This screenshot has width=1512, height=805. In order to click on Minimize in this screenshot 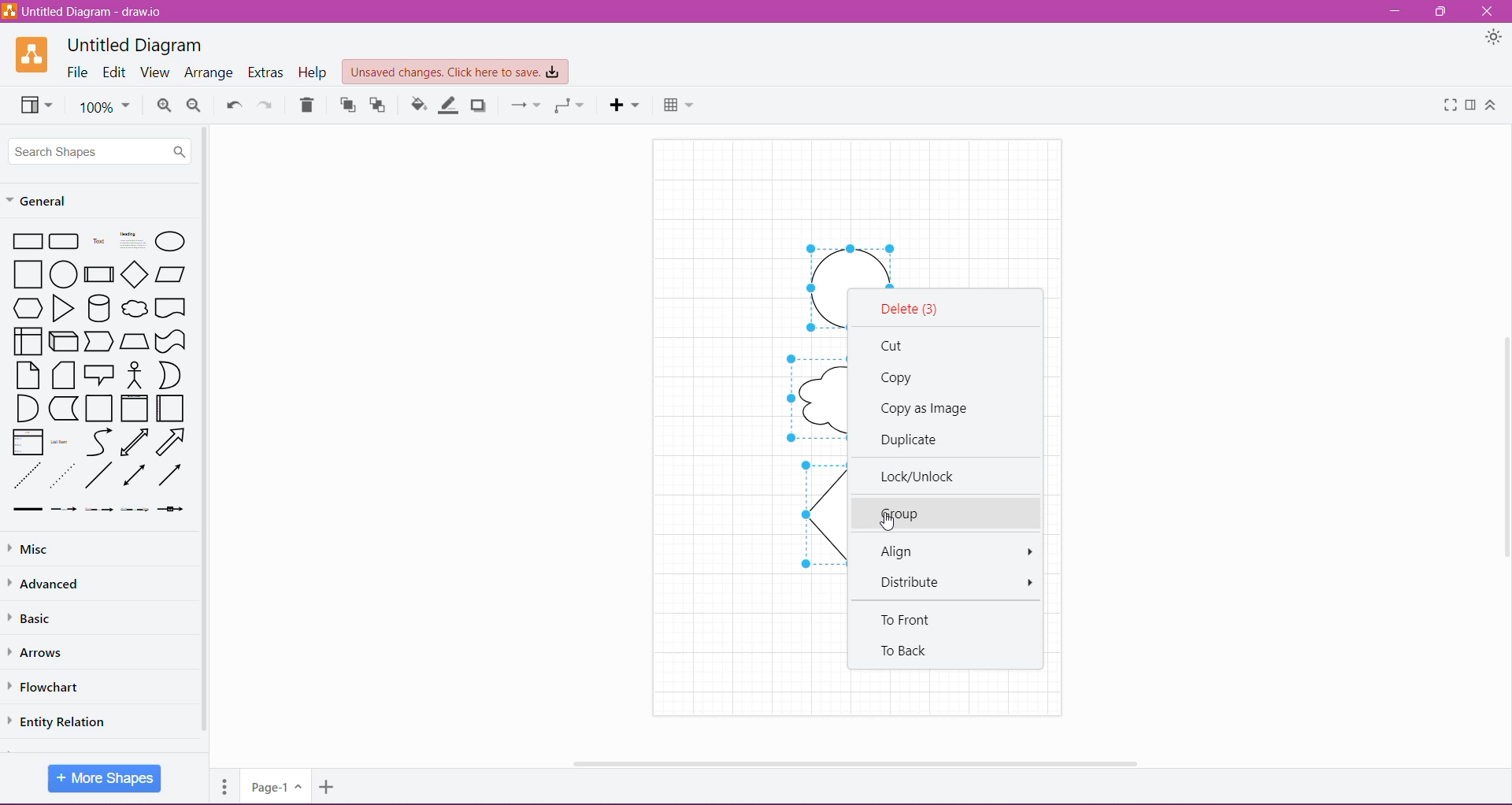, I will do `click(1395, 12)`.